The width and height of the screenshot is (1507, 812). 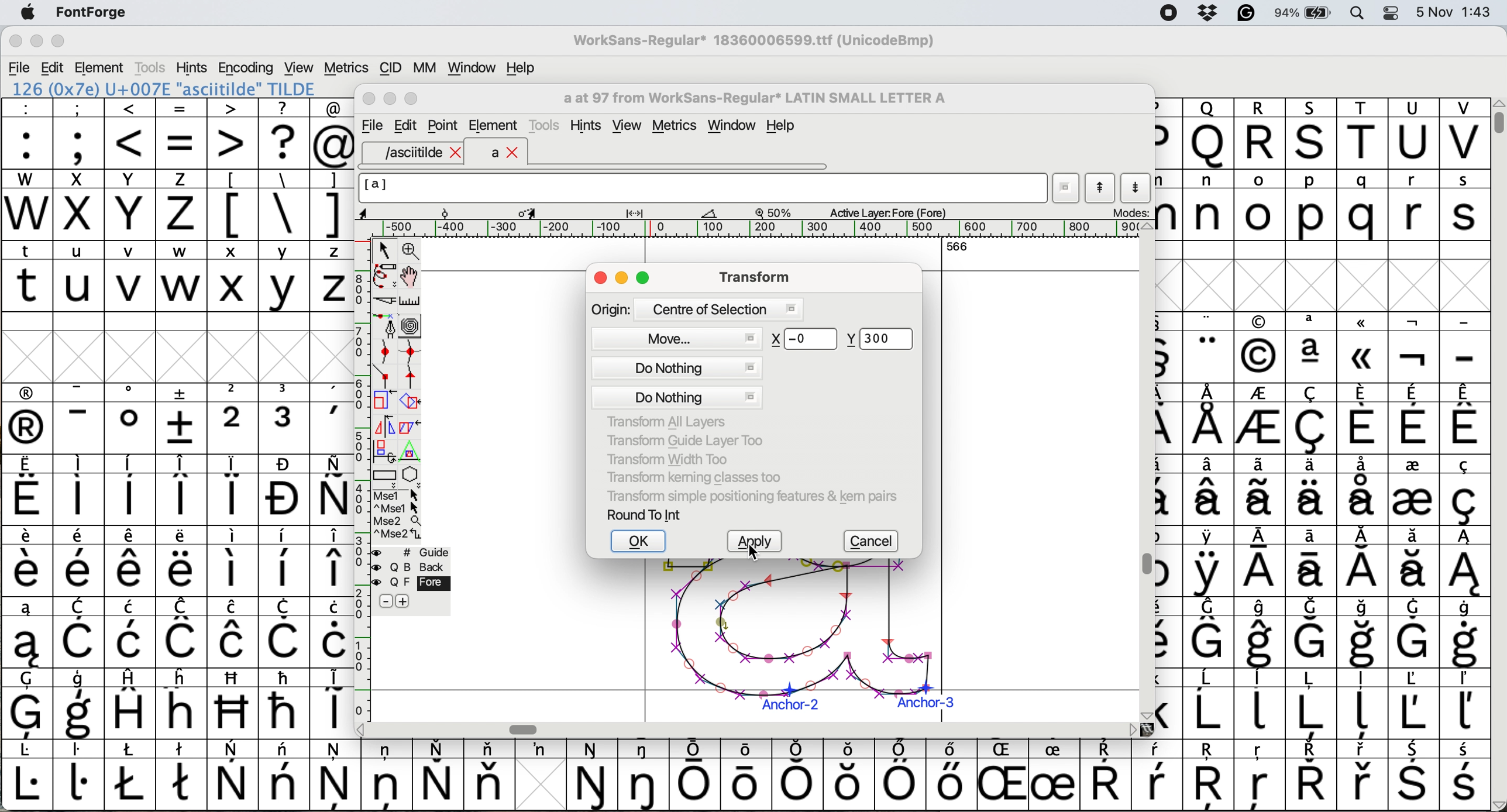 I want to click on cancel, so click(x=875, y=542).